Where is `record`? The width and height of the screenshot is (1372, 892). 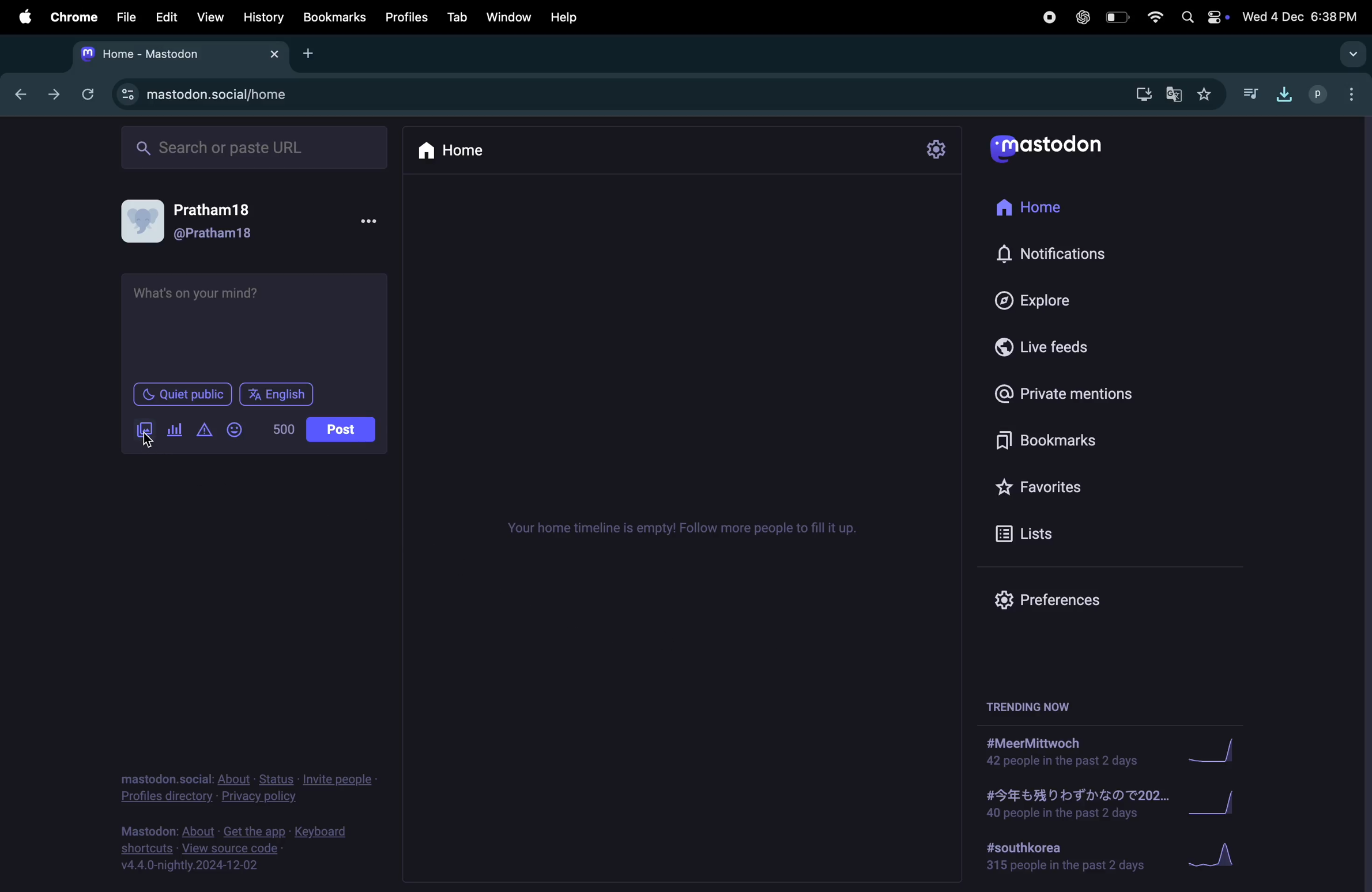
record is located at coordinates (1048, 17).